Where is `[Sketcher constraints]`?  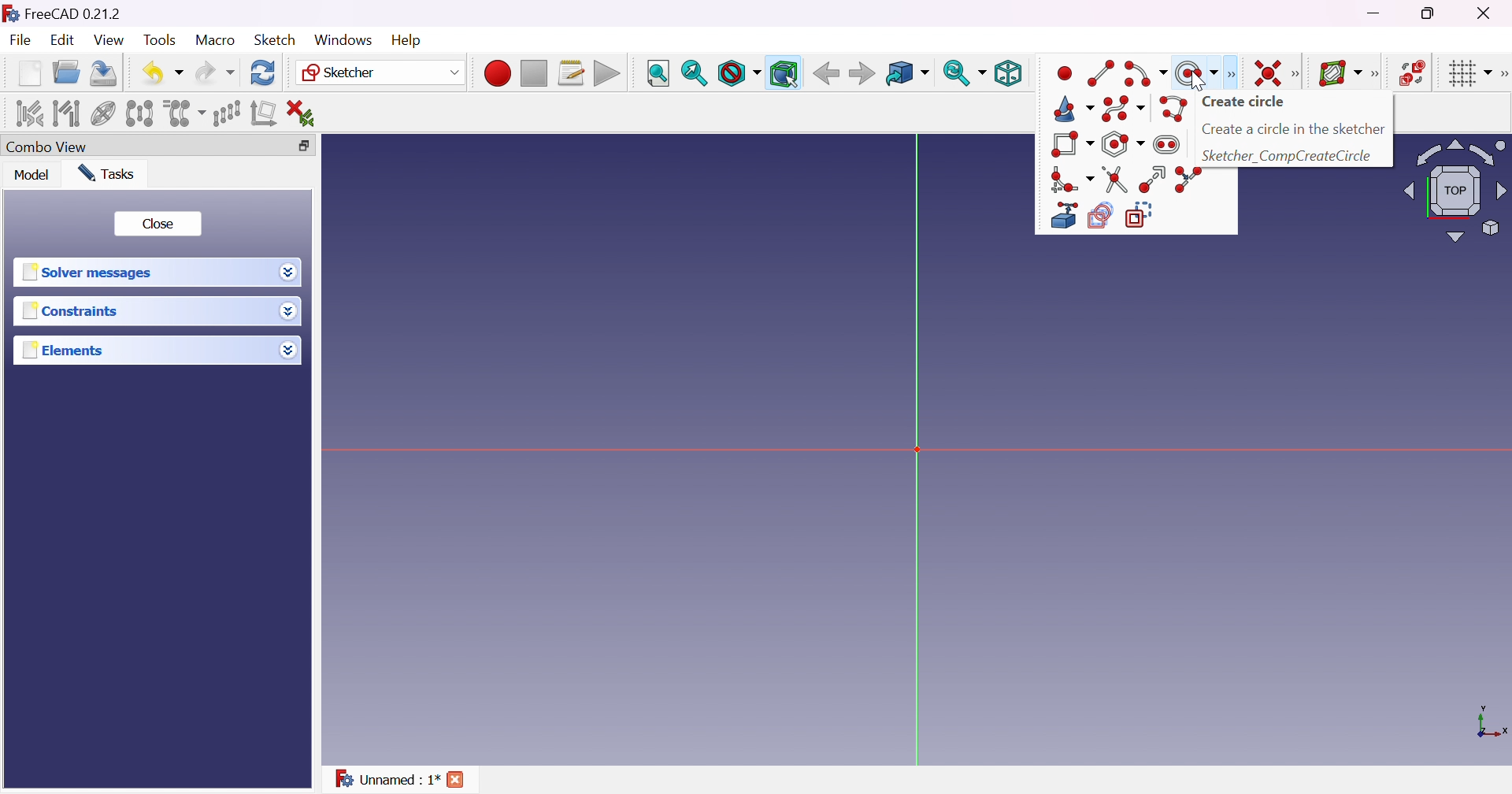
[Sketcher constraints] is located at coordinates (1298, 73).